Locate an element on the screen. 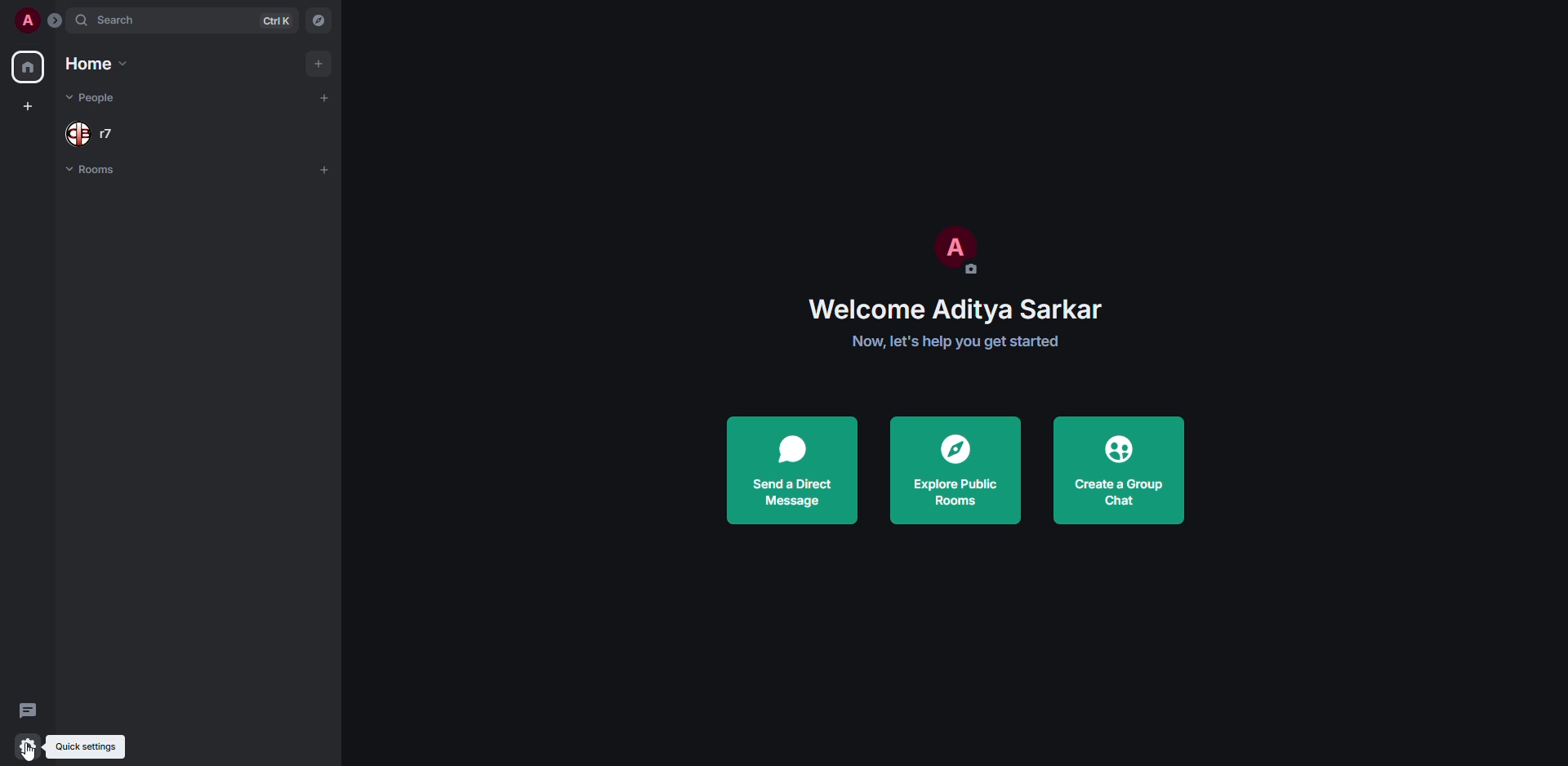  profile is located at coordinates (26, 20).